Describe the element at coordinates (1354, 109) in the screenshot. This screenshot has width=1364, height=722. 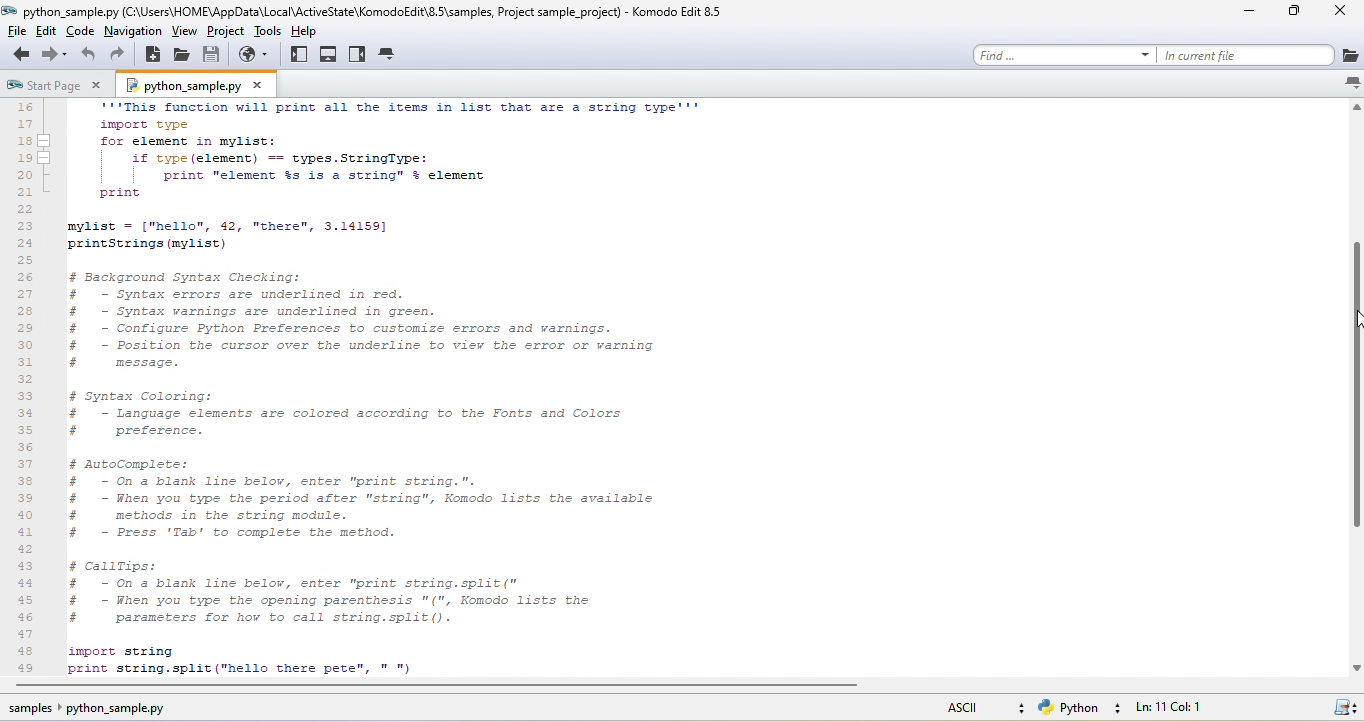
I see `scroll up` at that location.